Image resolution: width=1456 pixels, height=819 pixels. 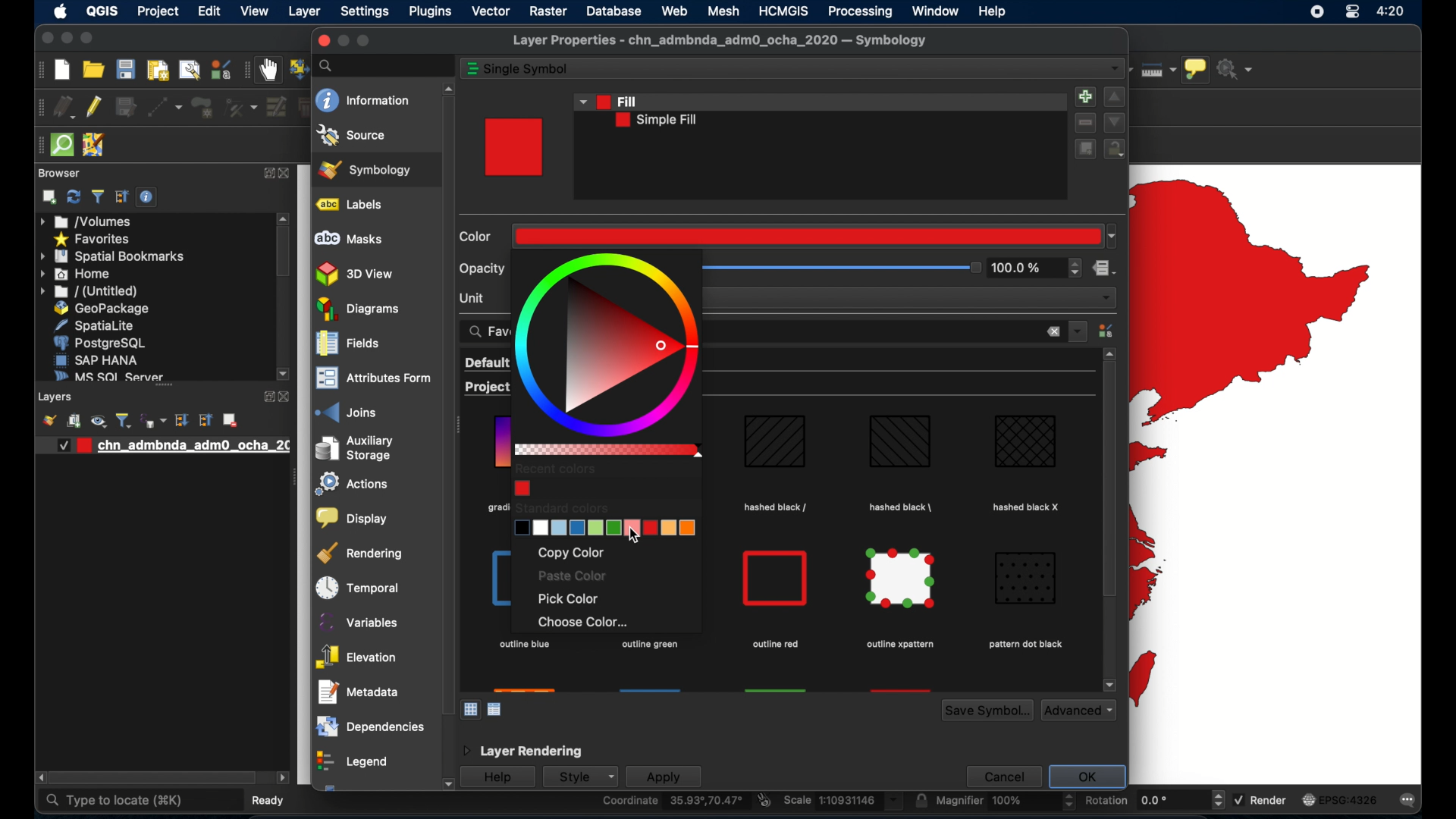 What do you see at coordinates (93, 70) in the screenshot?
I see `open project ` at bounding box center [93, 70].